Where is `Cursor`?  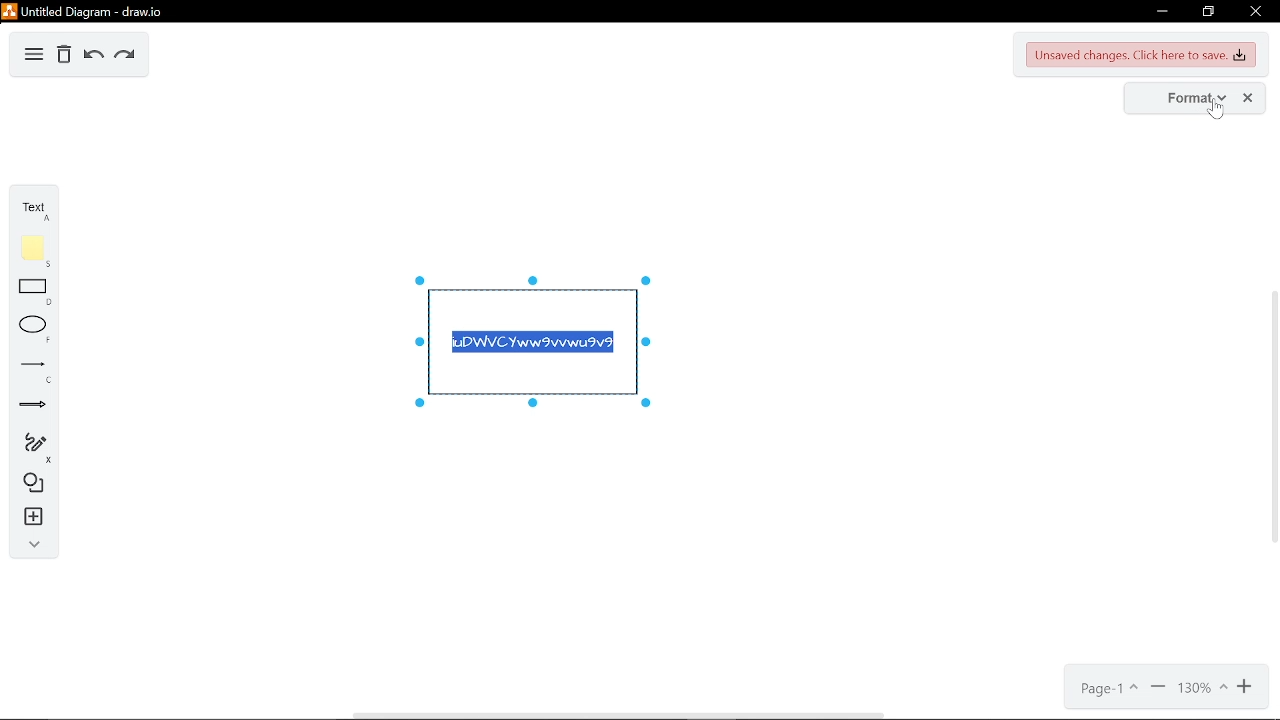
Cursor is located at coordinates (1222, 116).